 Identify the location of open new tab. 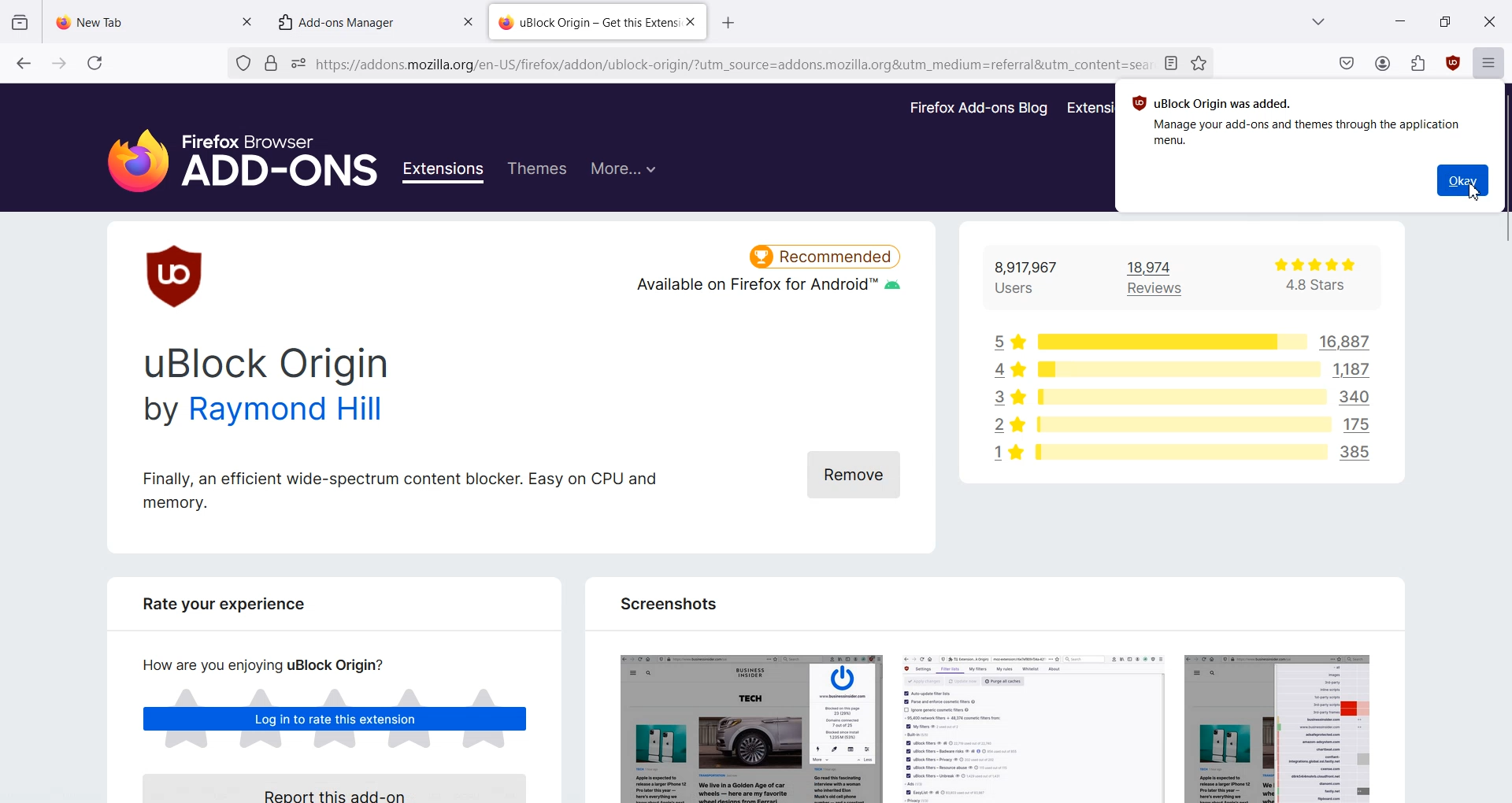
(732, 20).